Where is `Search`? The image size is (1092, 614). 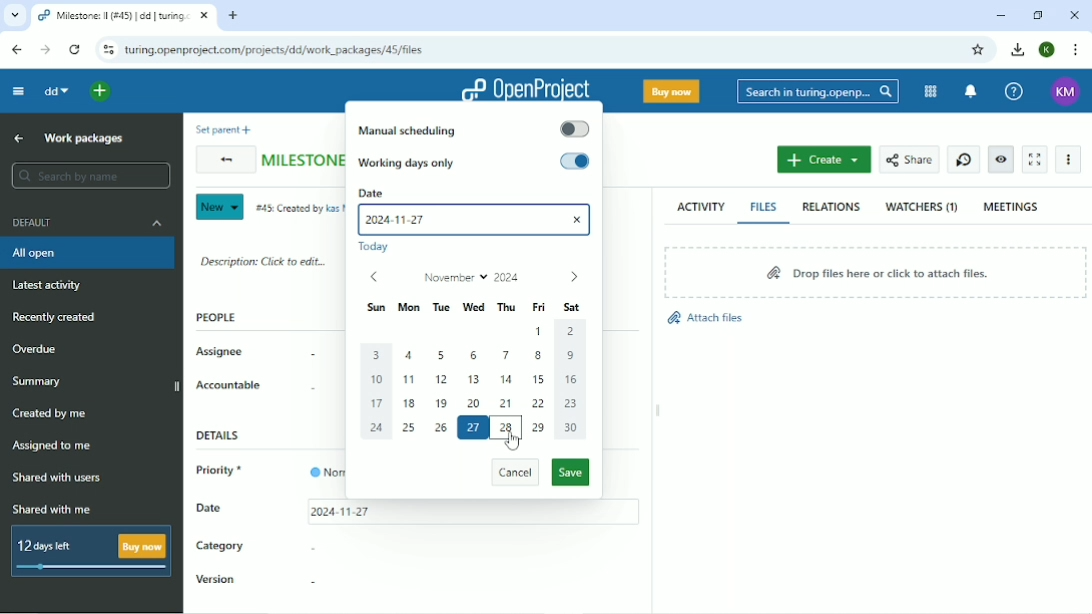
Search is located at coordinates (817, 92).